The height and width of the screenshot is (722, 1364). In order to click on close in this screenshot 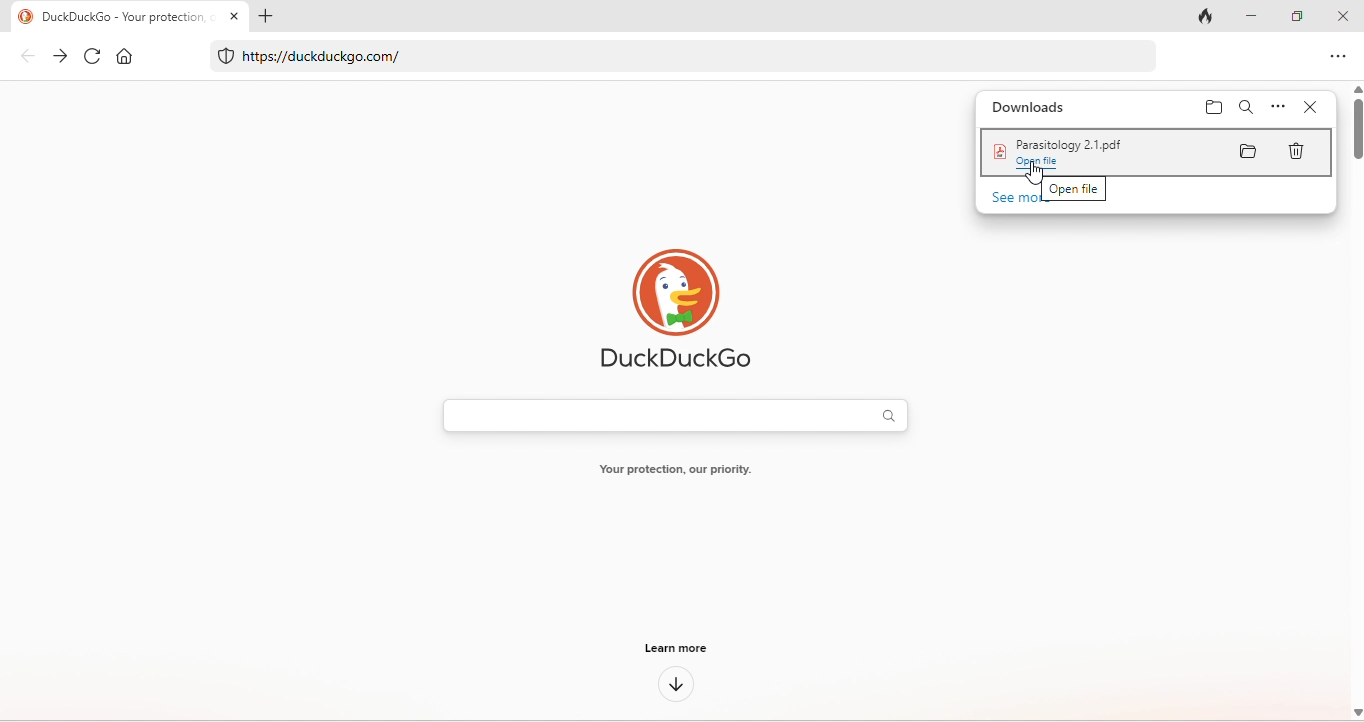, I will do `click(1344, 14)`.